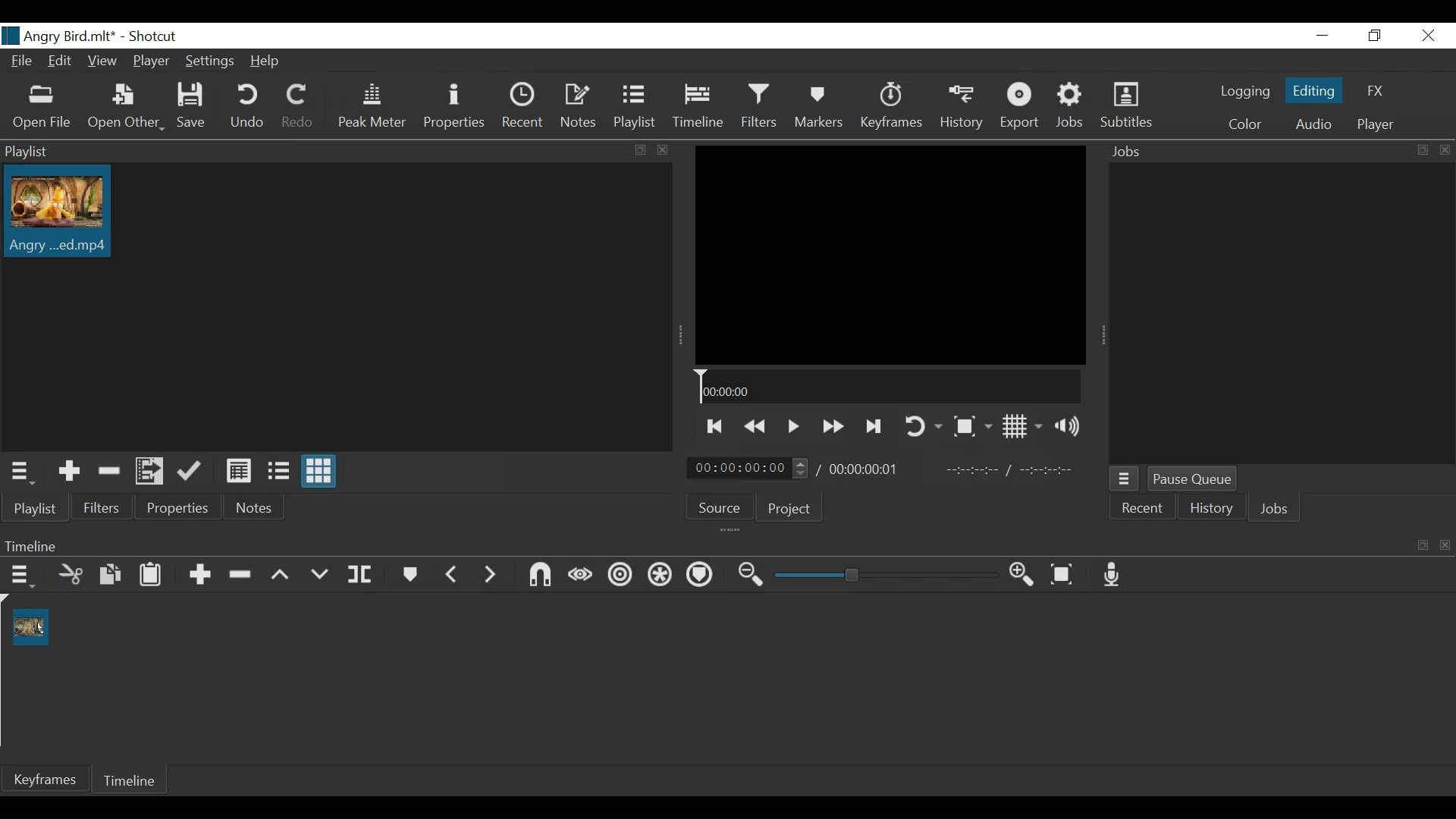 The height and width of the screenshot is (819, 1456). Describe the element at coordinates (658, 576) in the screenshot. I see `Ripple all tracks` at that location.